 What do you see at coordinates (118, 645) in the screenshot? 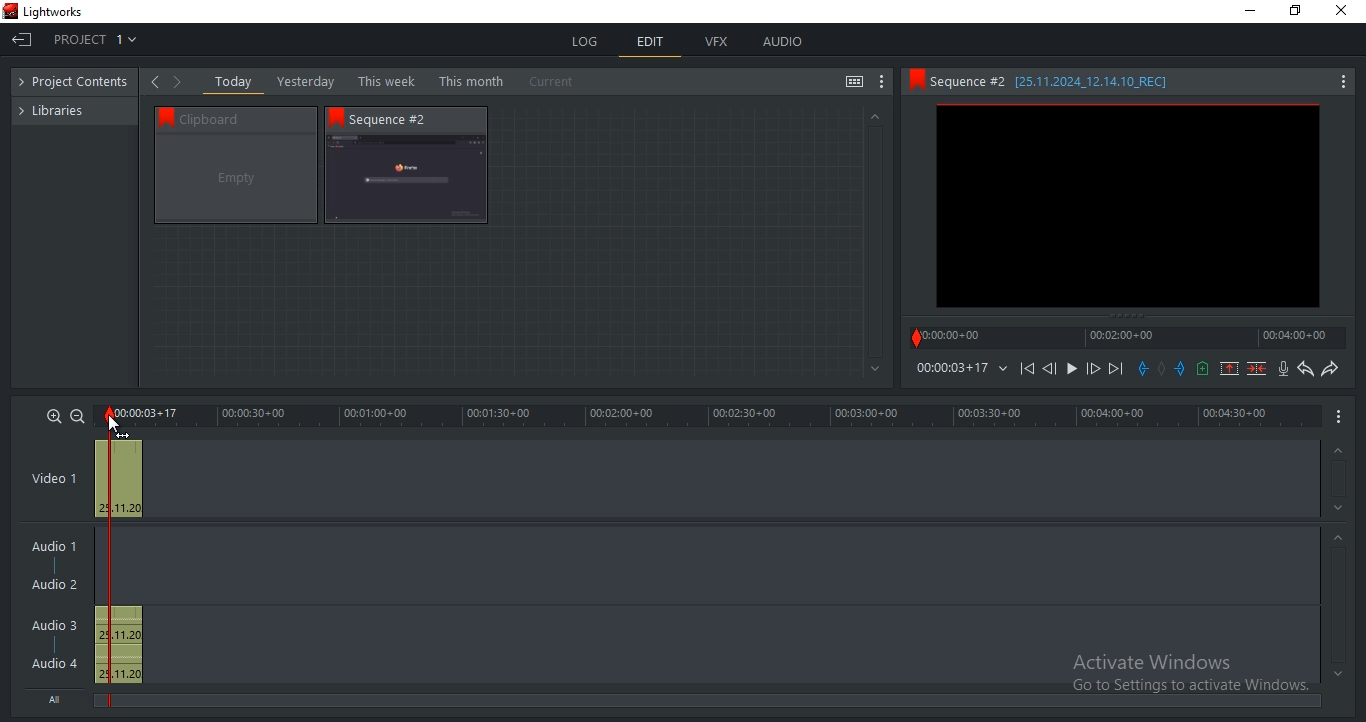
I see `audio` at bounding box center [118, 645].